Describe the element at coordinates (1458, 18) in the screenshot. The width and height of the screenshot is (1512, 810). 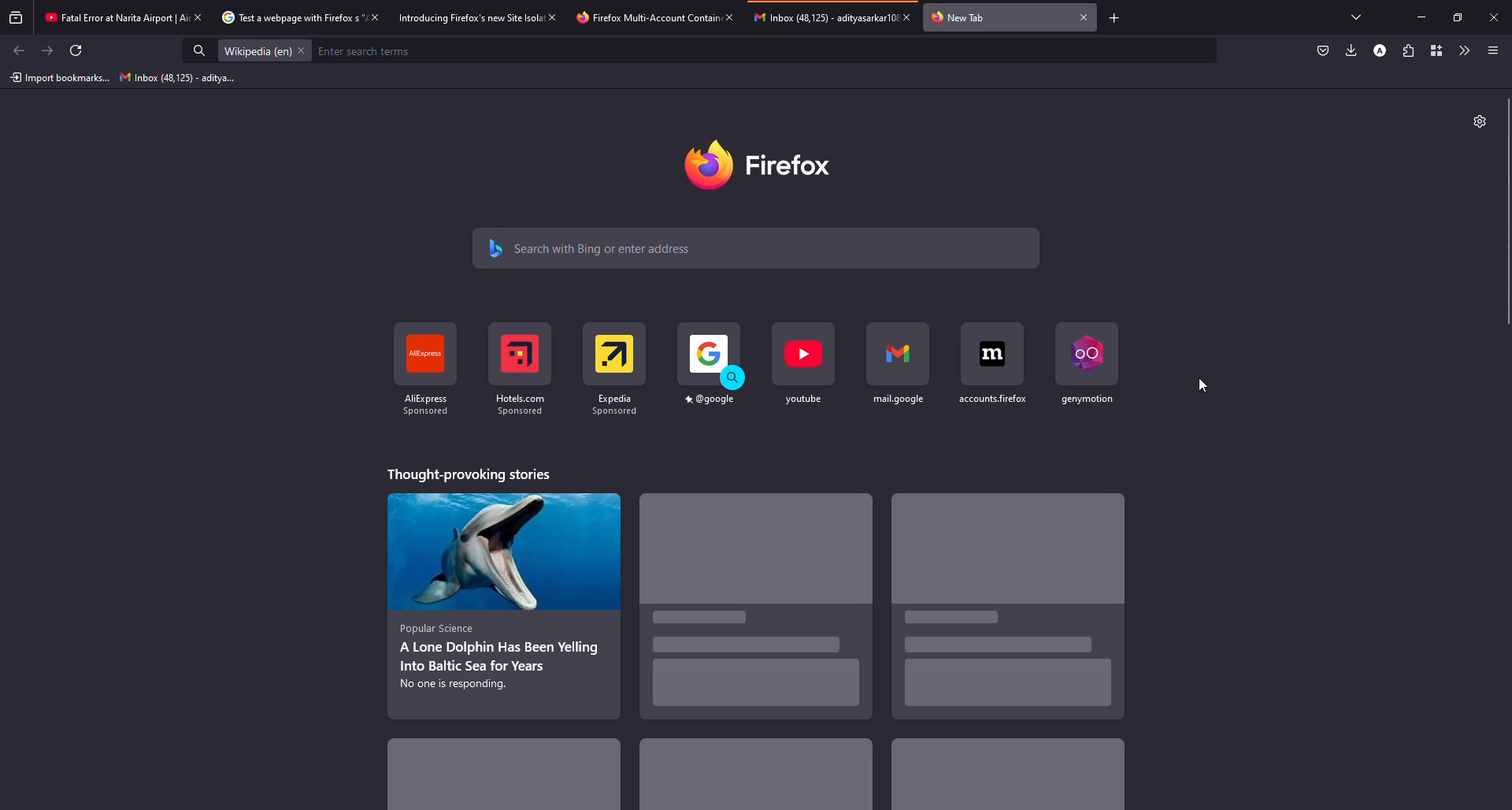
I see `maximize` at that location.